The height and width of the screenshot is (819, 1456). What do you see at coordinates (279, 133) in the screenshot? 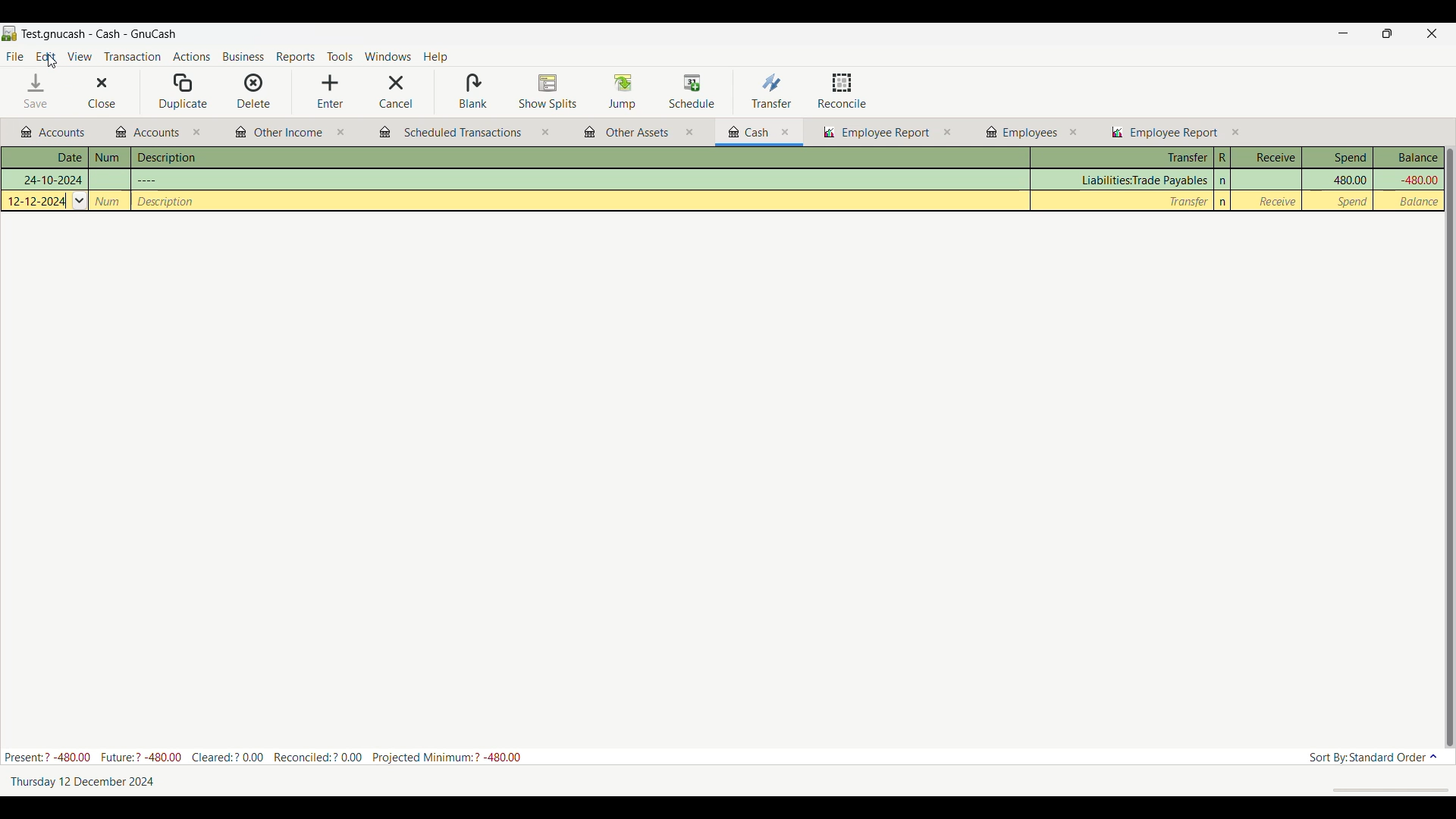
I see `Other budgets and reports` at bounding box center [279, 133].